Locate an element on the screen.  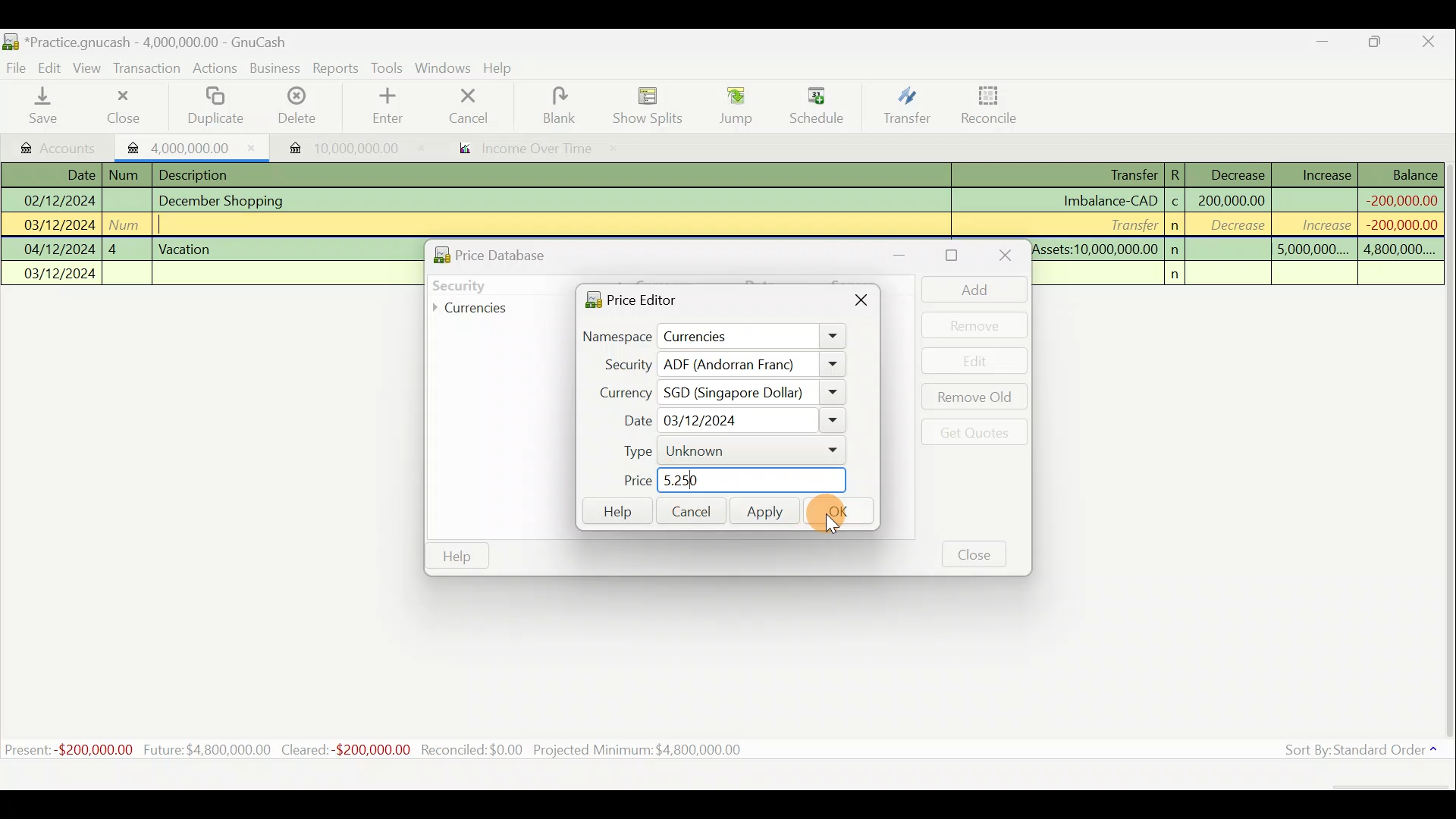
Date is located at coordinates (727, 421).